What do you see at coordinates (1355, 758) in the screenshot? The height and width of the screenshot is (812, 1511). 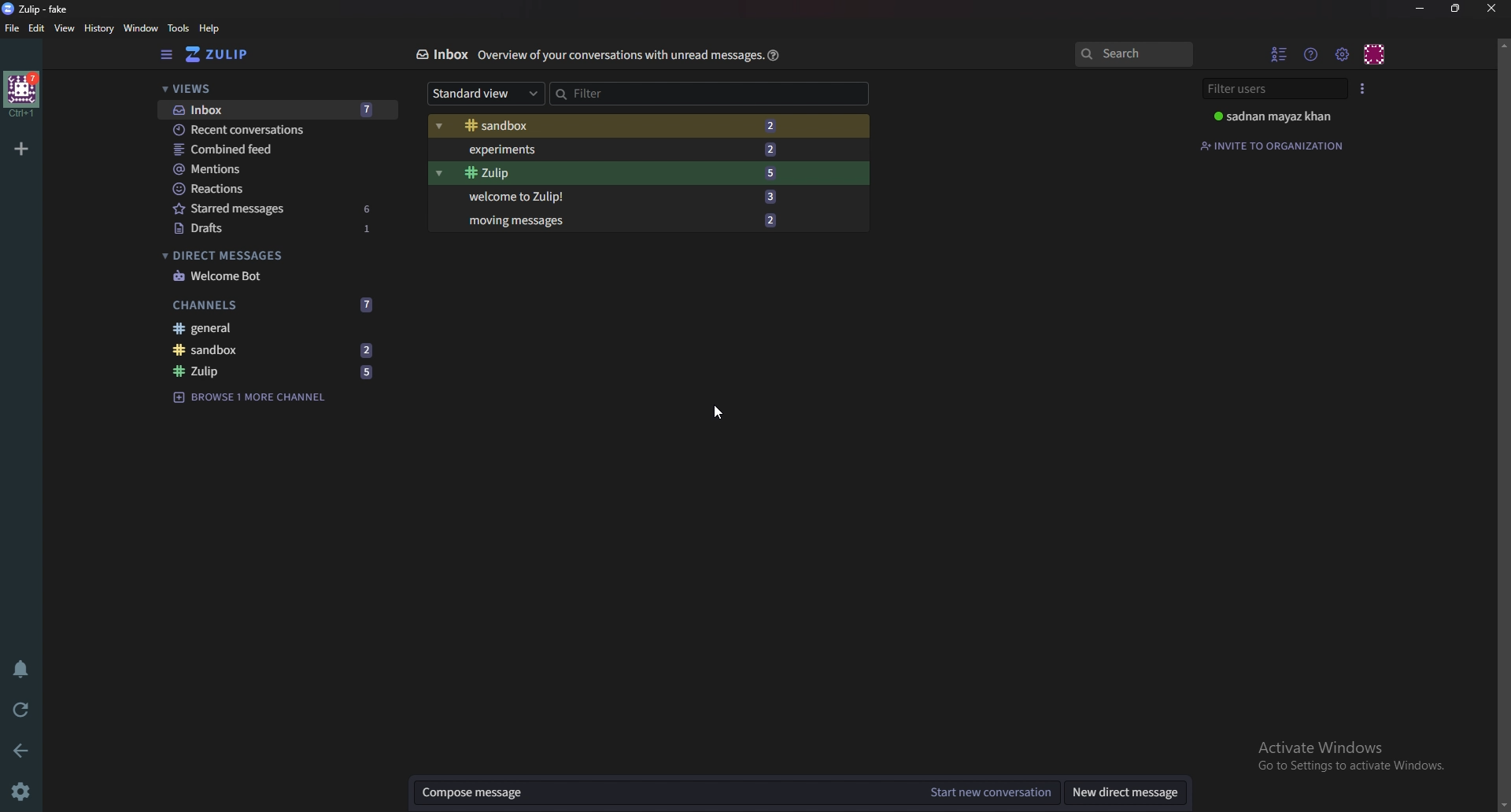 I see `Activate Windows
Go to Settings to activate Windows.` at bounding box center [1355, 758].